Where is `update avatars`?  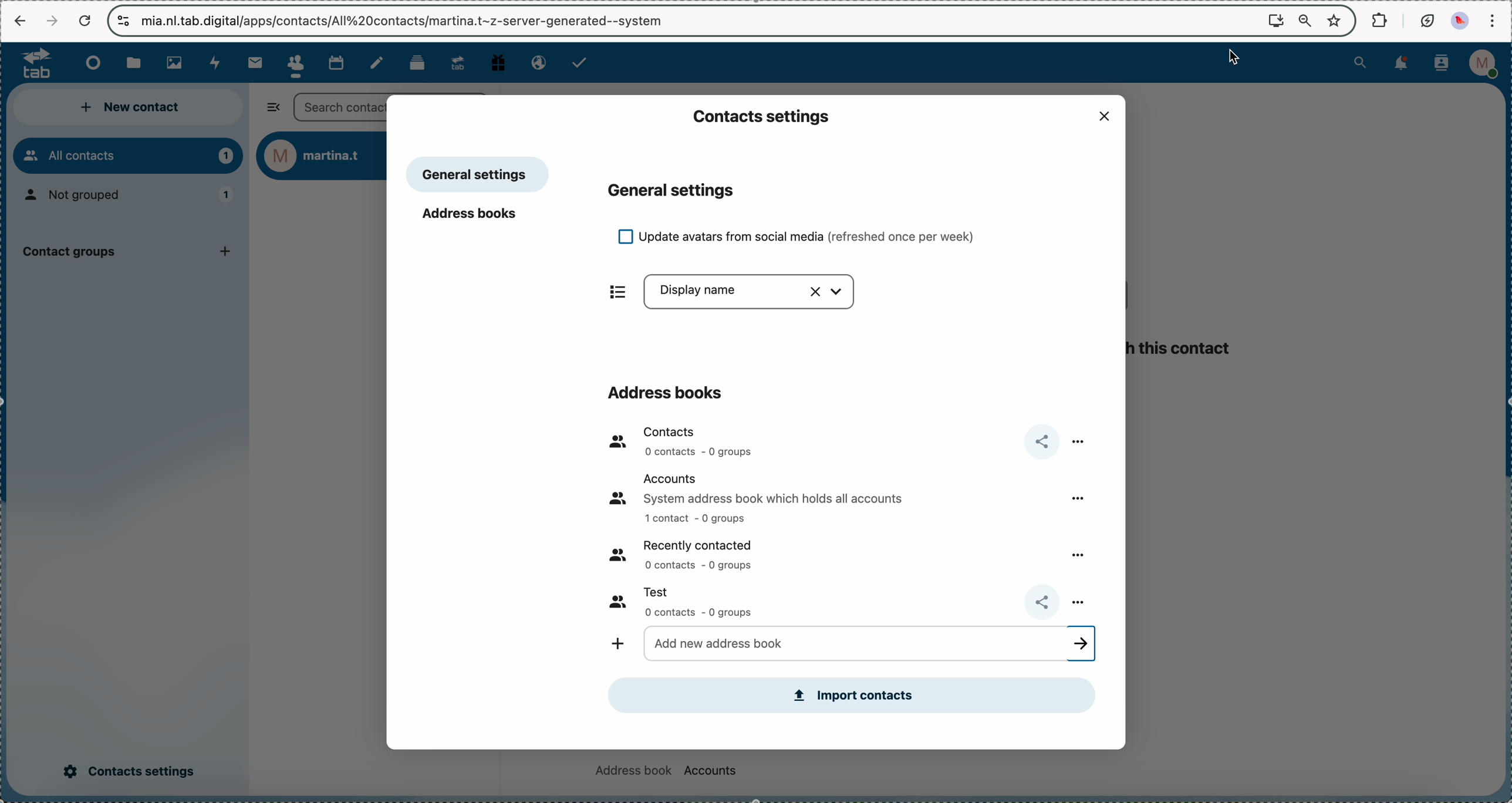
update avatars is located at coordinates (801, 235).